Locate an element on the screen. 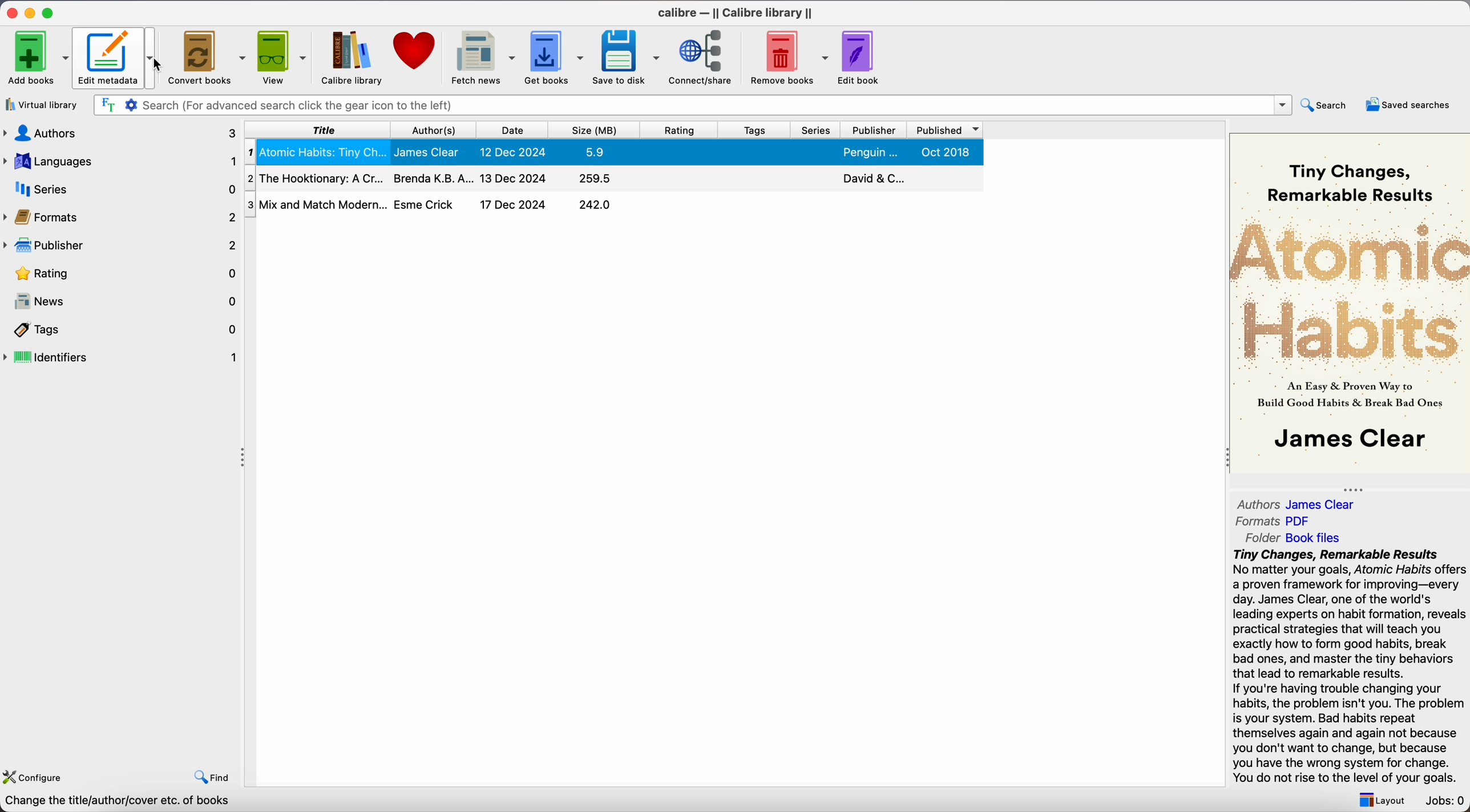 Image resolution: width=1470 pixels, height=812 pixels. synopssis is located at coordinates (1350, 665).